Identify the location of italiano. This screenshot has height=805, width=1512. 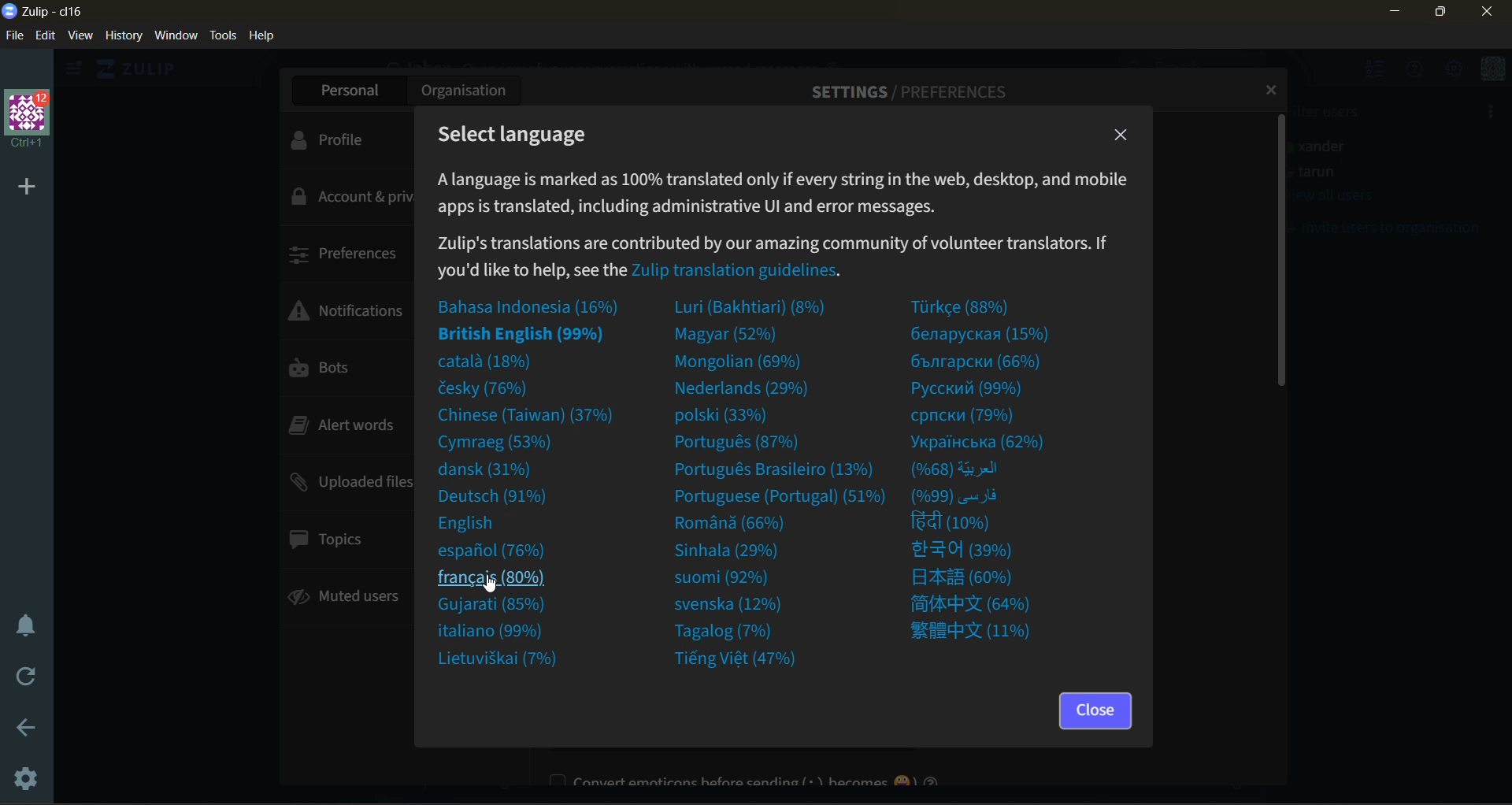
(499, 631).